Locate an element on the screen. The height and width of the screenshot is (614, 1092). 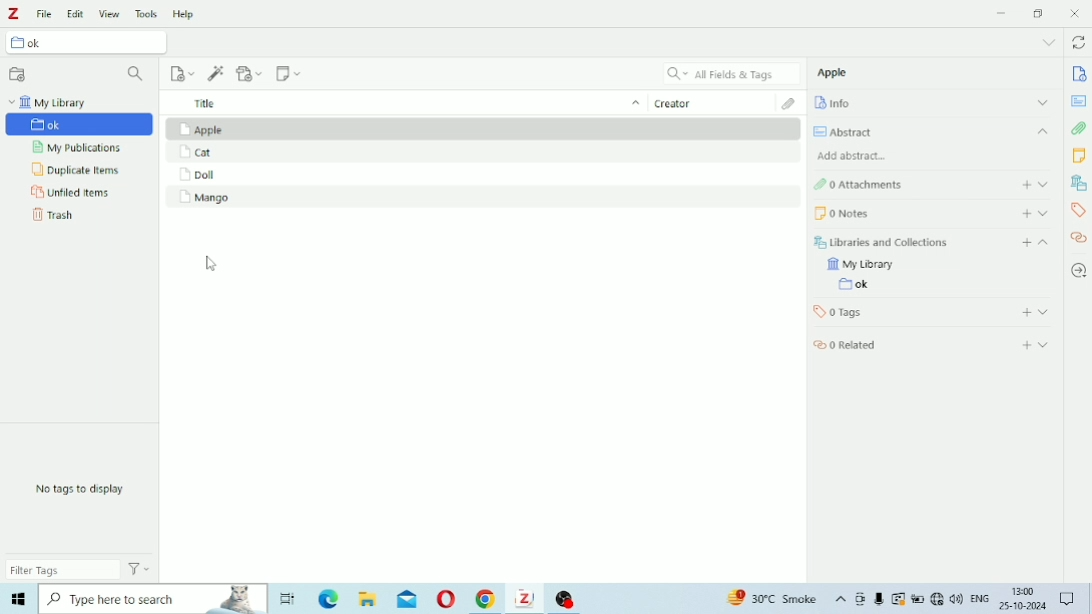
File is located at coordinates (44, 14).